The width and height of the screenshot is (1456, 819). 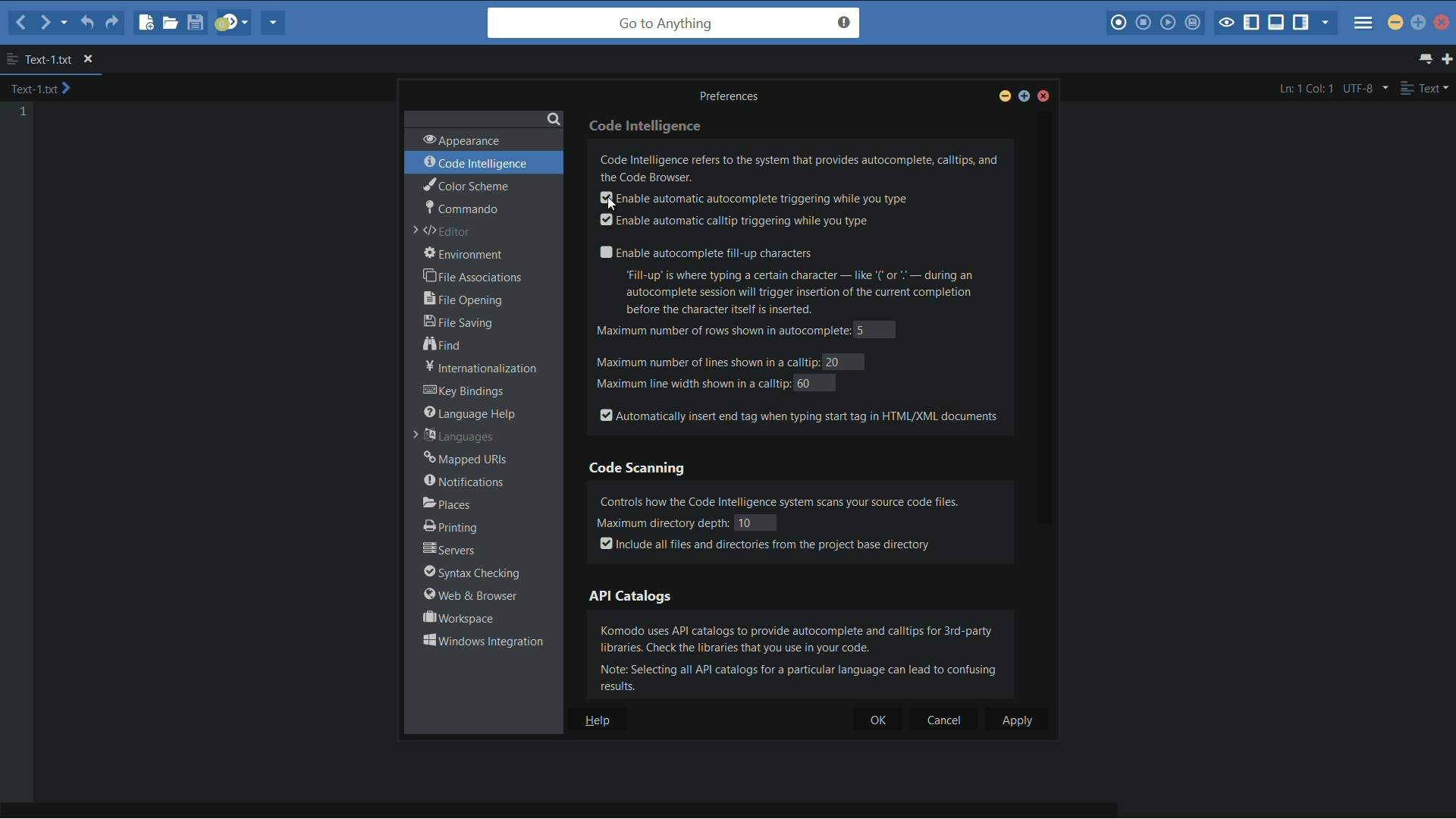 I want to click on share current file, so click(x=275, y=24).